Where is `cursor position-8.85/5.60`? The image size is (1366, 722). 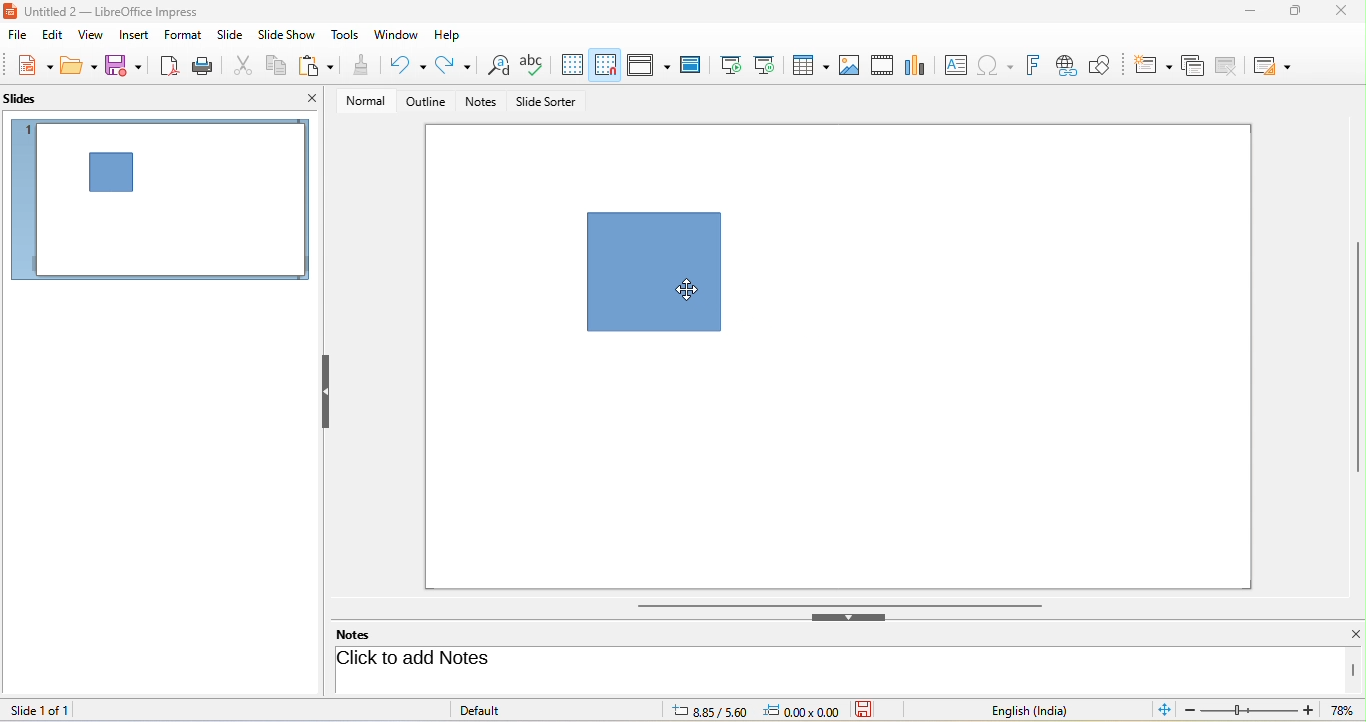 cursor position-8.85/5.60 is located at coordinates (698, 711).